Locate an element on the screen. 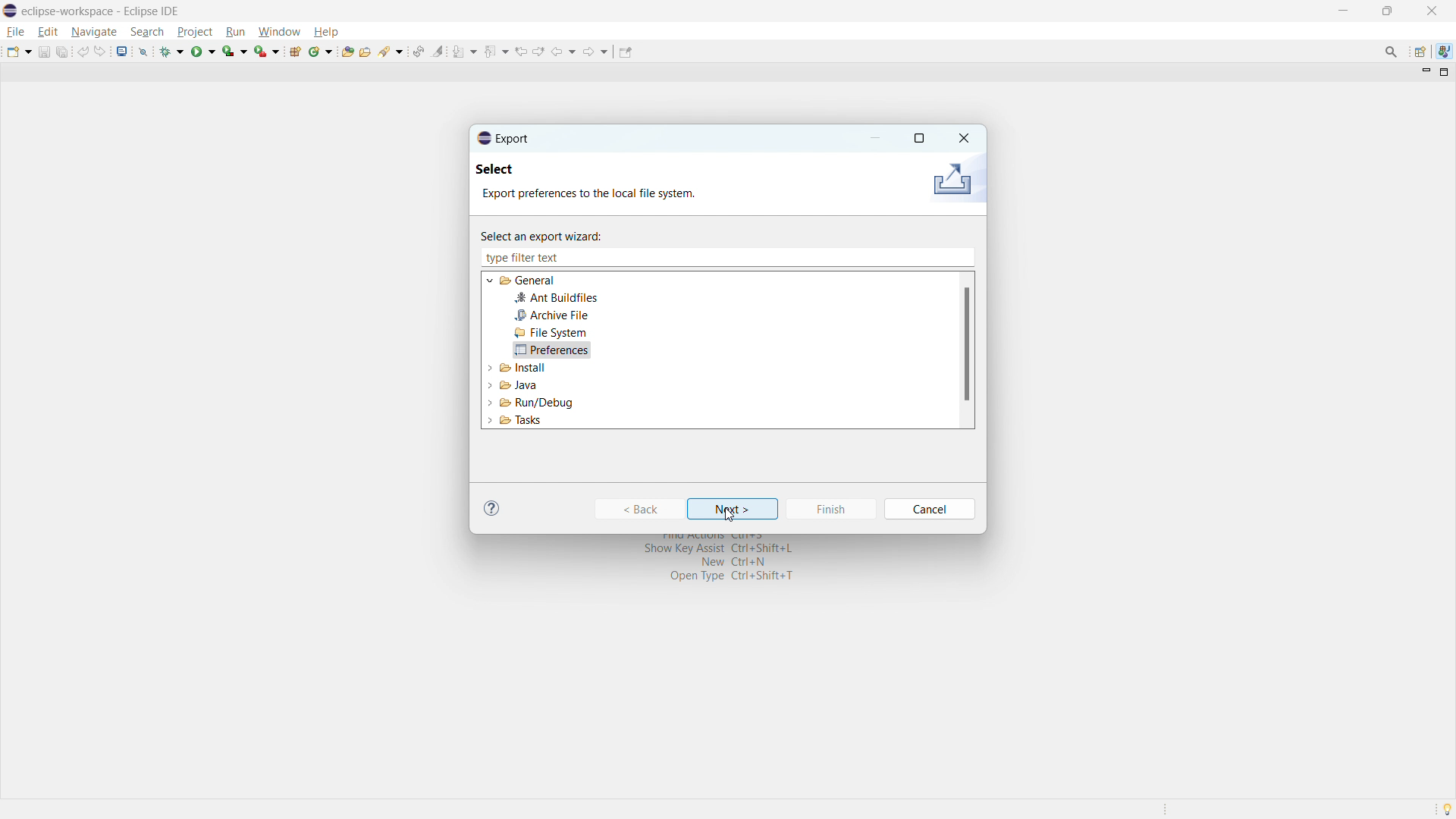  toggle ant mark occurances is located at coordinates (438, 51).